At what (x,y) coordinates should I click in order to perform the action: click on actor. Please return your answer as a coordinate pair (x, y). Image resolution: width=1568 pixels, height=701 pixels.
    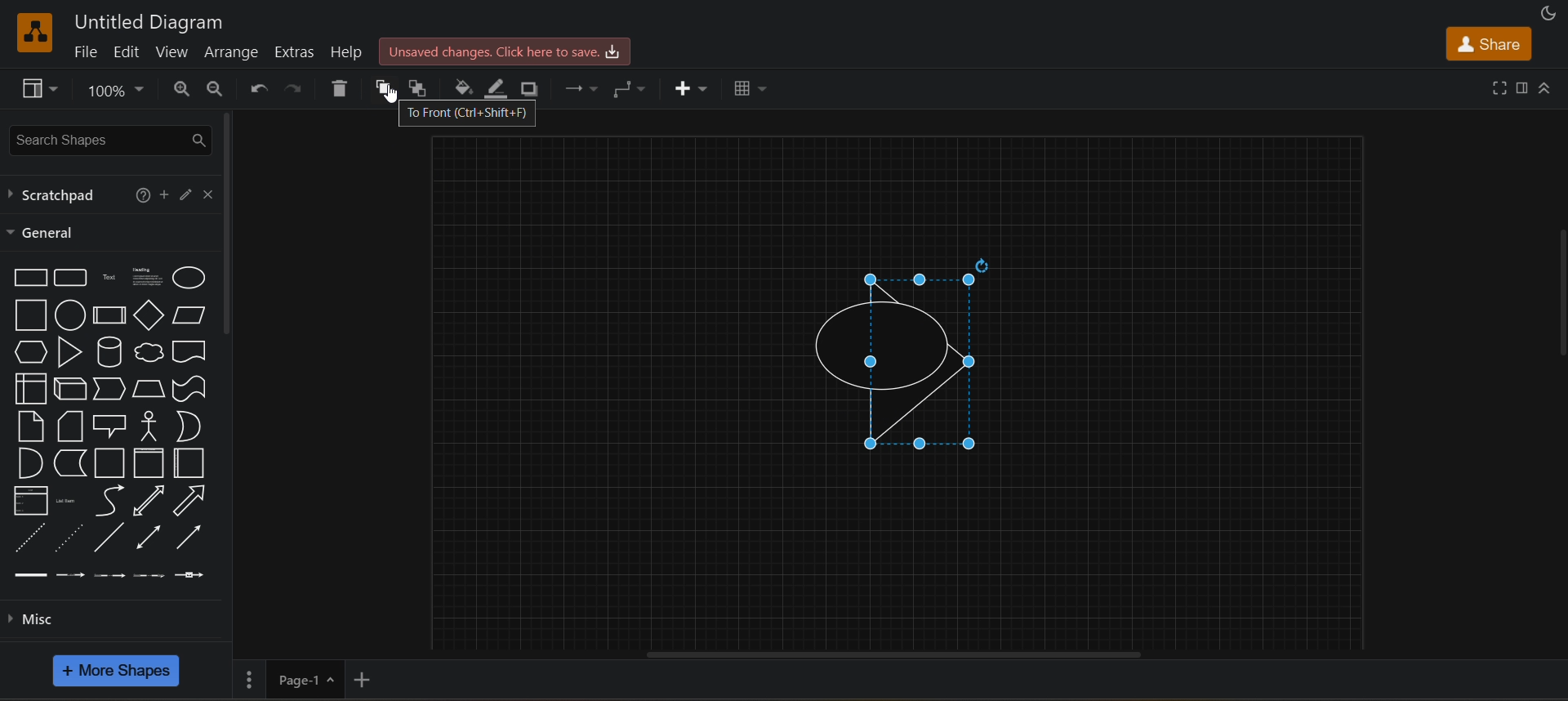
    Looking at the image, I should click on (149, 426).